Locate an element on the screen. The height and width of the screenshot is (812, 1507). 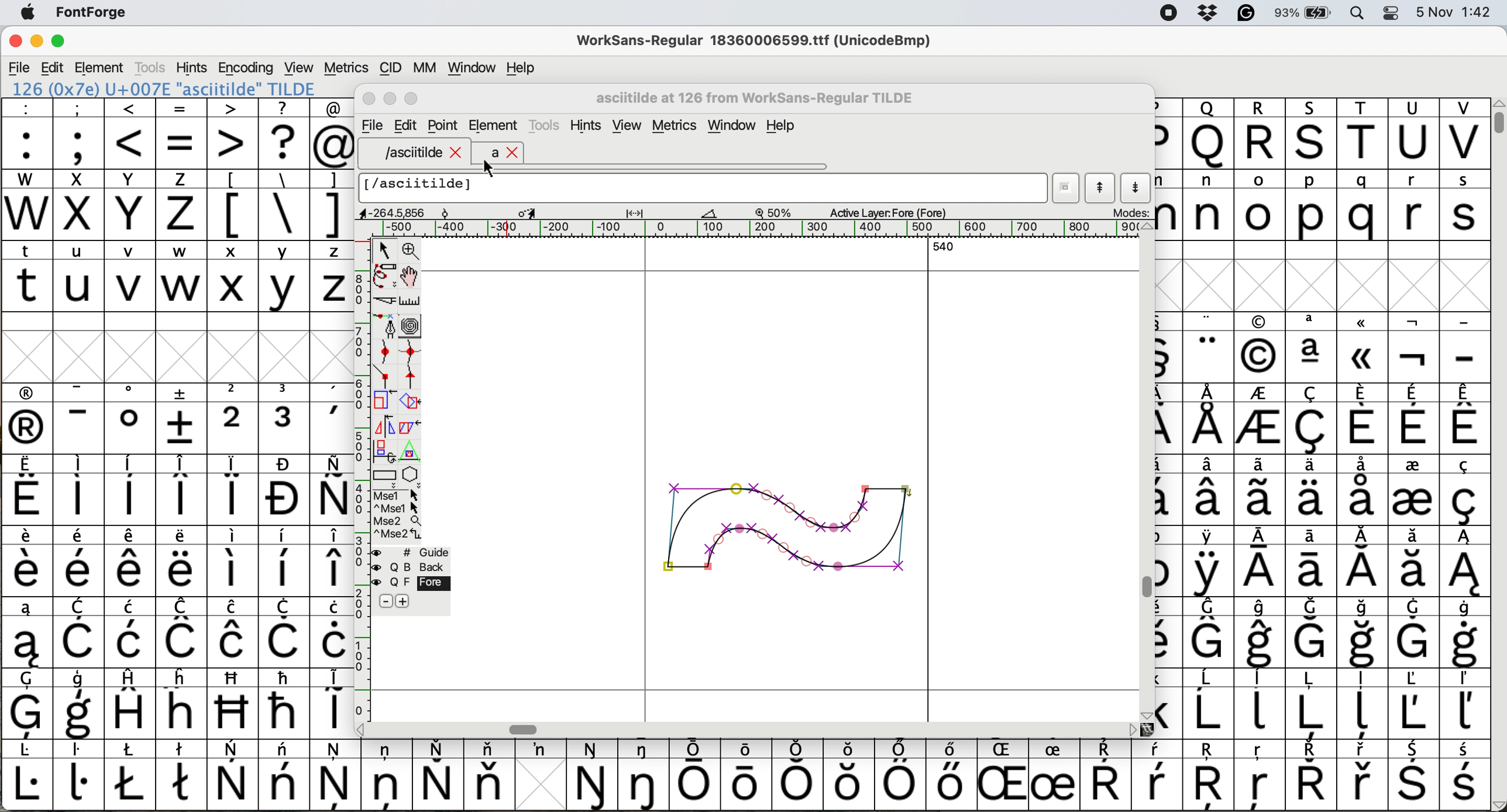
add a curve point is located at coordinates (386, 352).